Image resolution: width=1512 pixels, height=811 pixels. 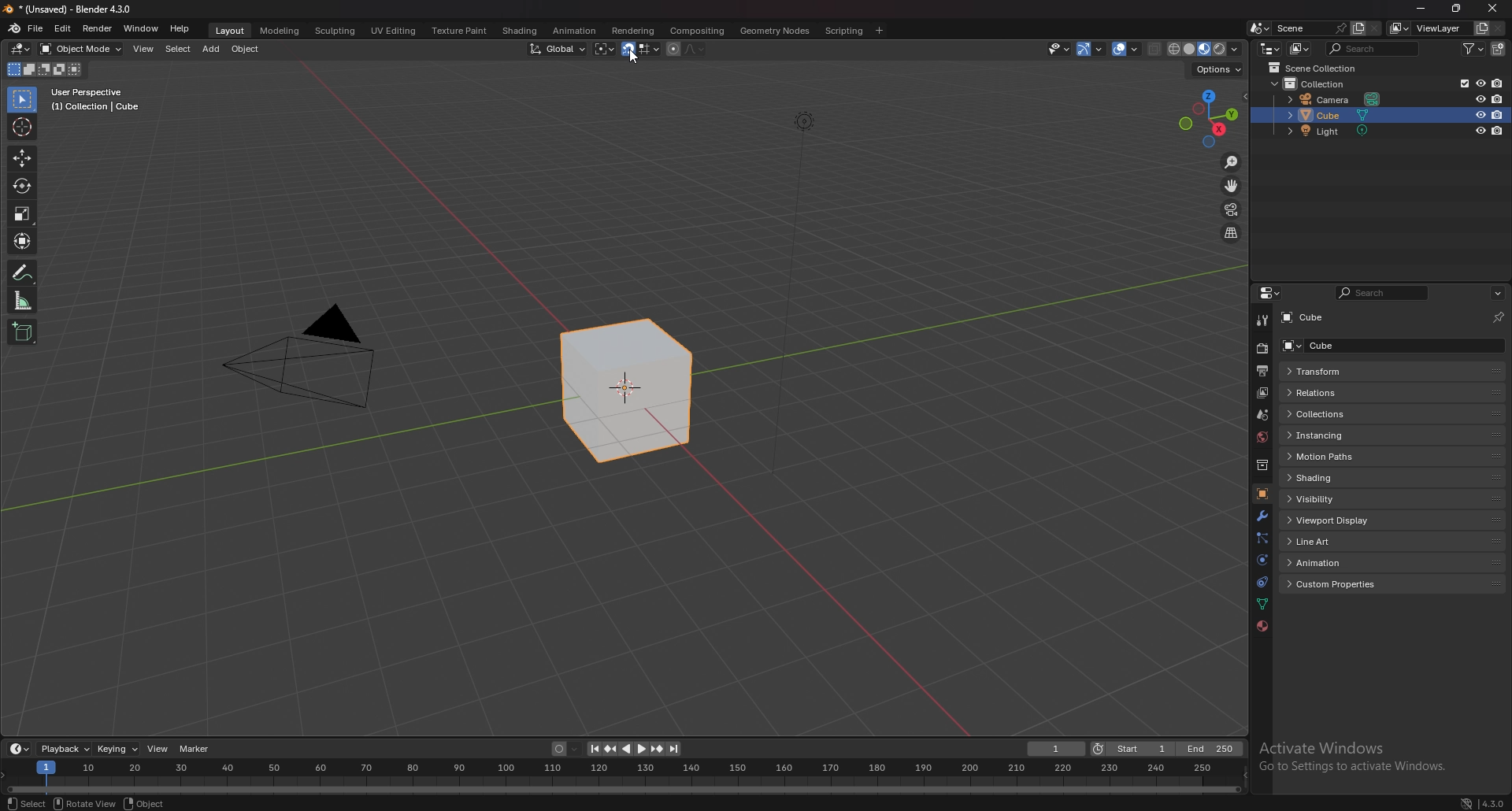 What do you see at coordinates (177, 49) in the screenshot?
I see `select` at bounding box center [177, 49].